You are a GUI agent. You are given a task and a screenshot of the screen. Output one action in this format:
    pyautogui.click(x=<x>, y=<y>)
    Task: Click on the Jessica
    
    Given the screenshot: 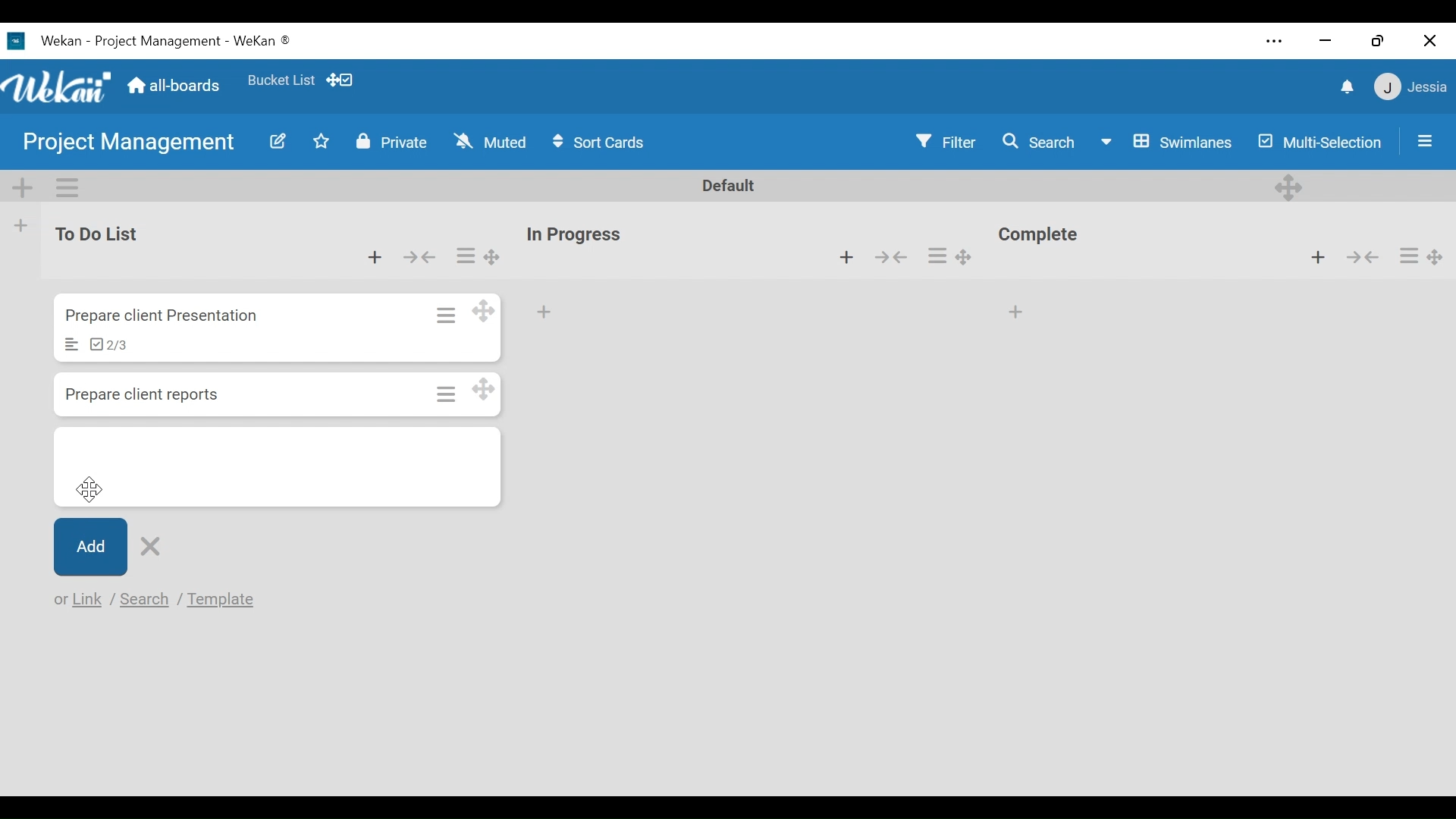 What is the action you would take?
    pyautogui.click(x=1408, y=89)
    